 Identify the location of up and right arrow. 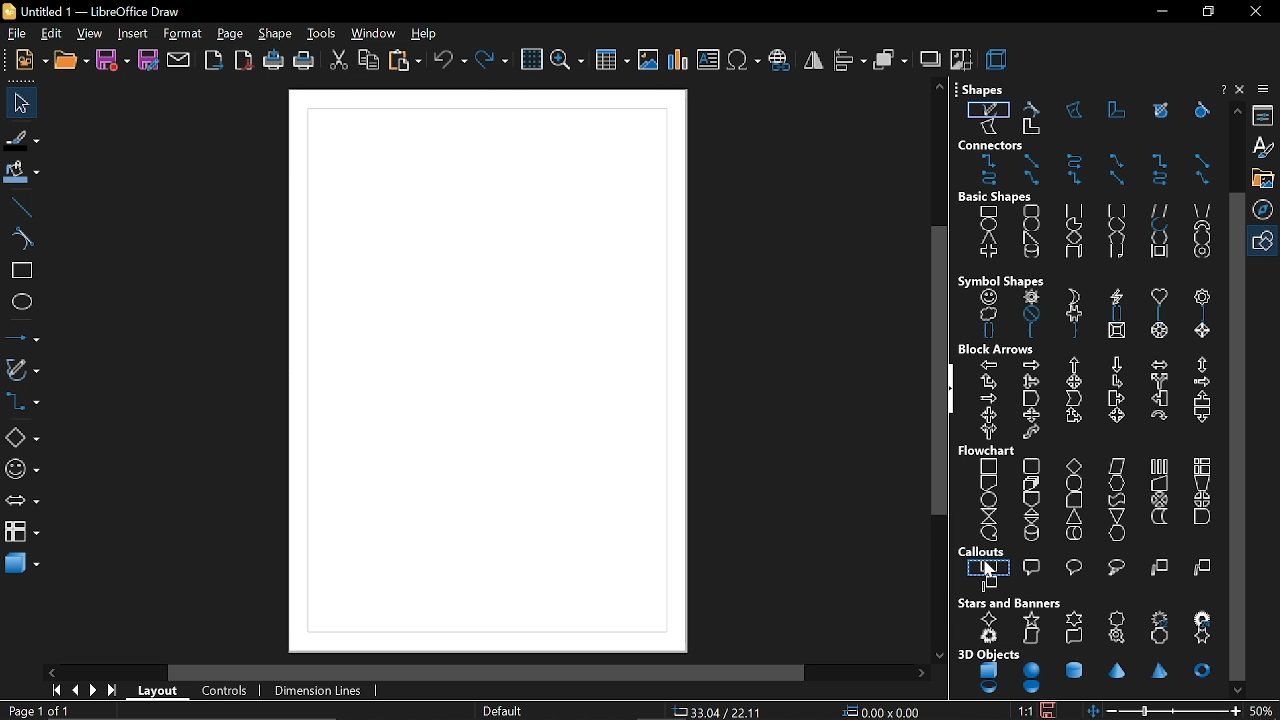
(989, 381).